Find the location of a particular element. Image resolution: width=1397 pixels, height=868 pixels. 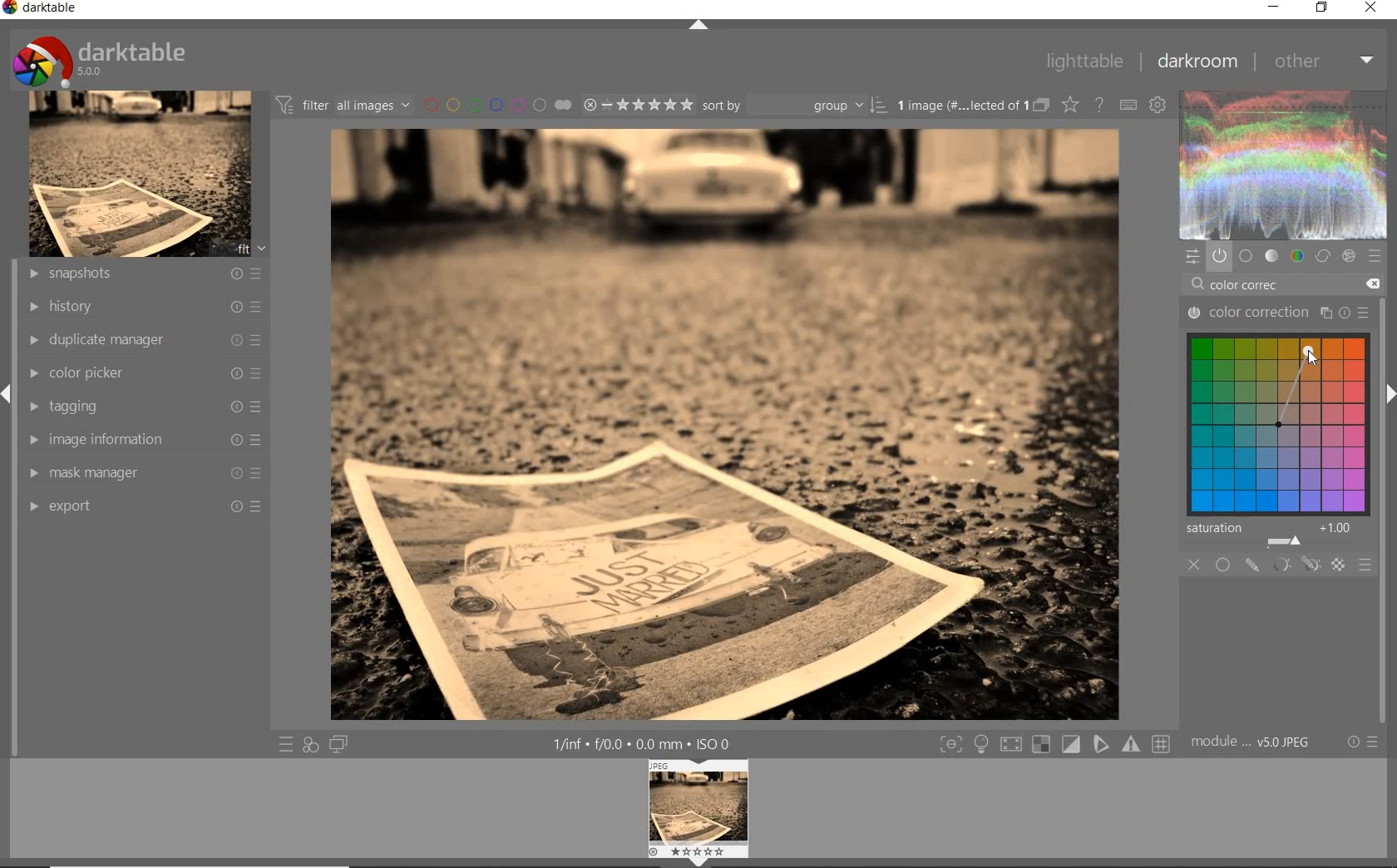

quick access panel is located at coordinates (1192, 257).